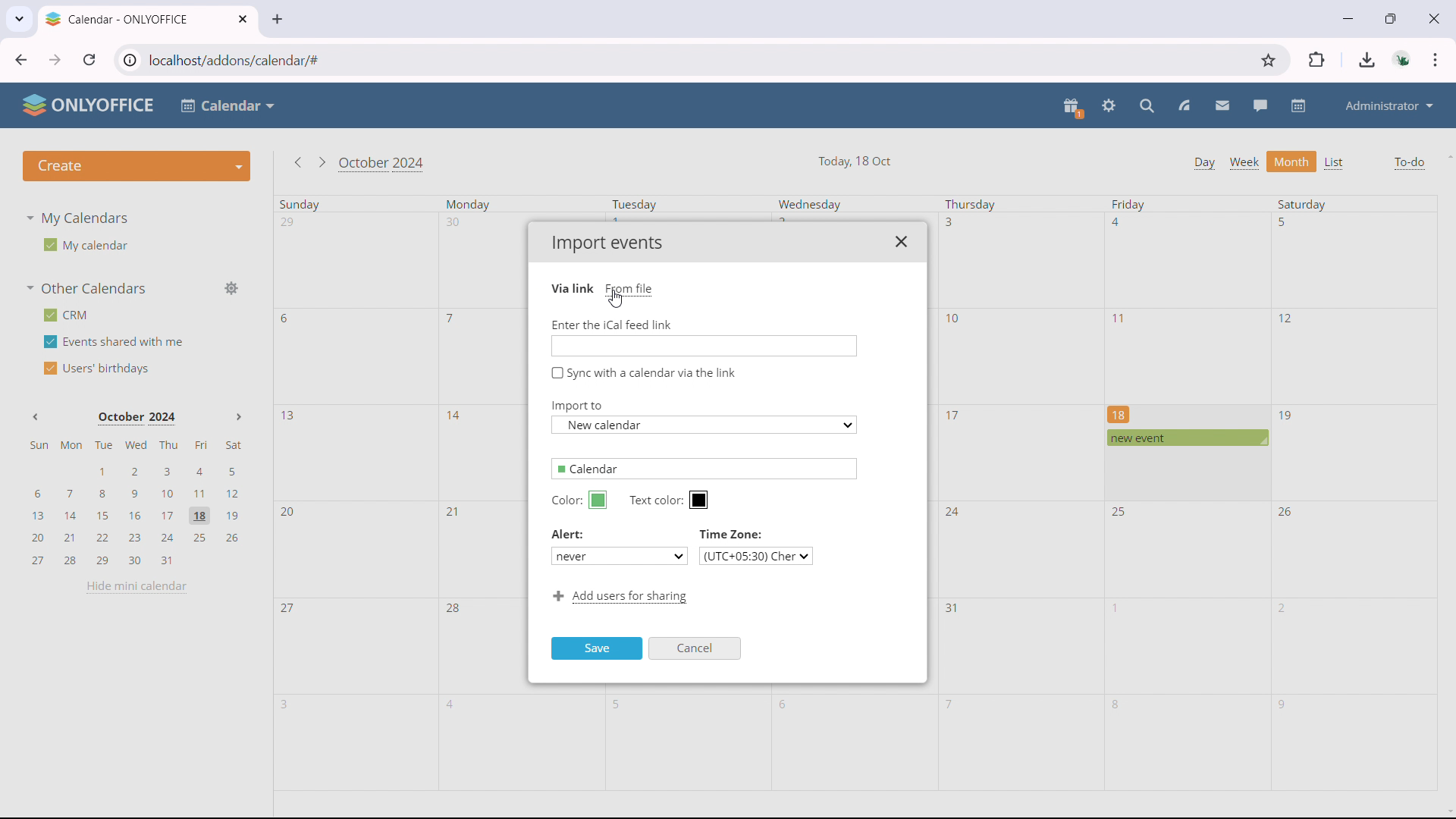  What do you see at coordinates (457, 416) in the screenshot?
I see `14` at bounding box center [457, 416].